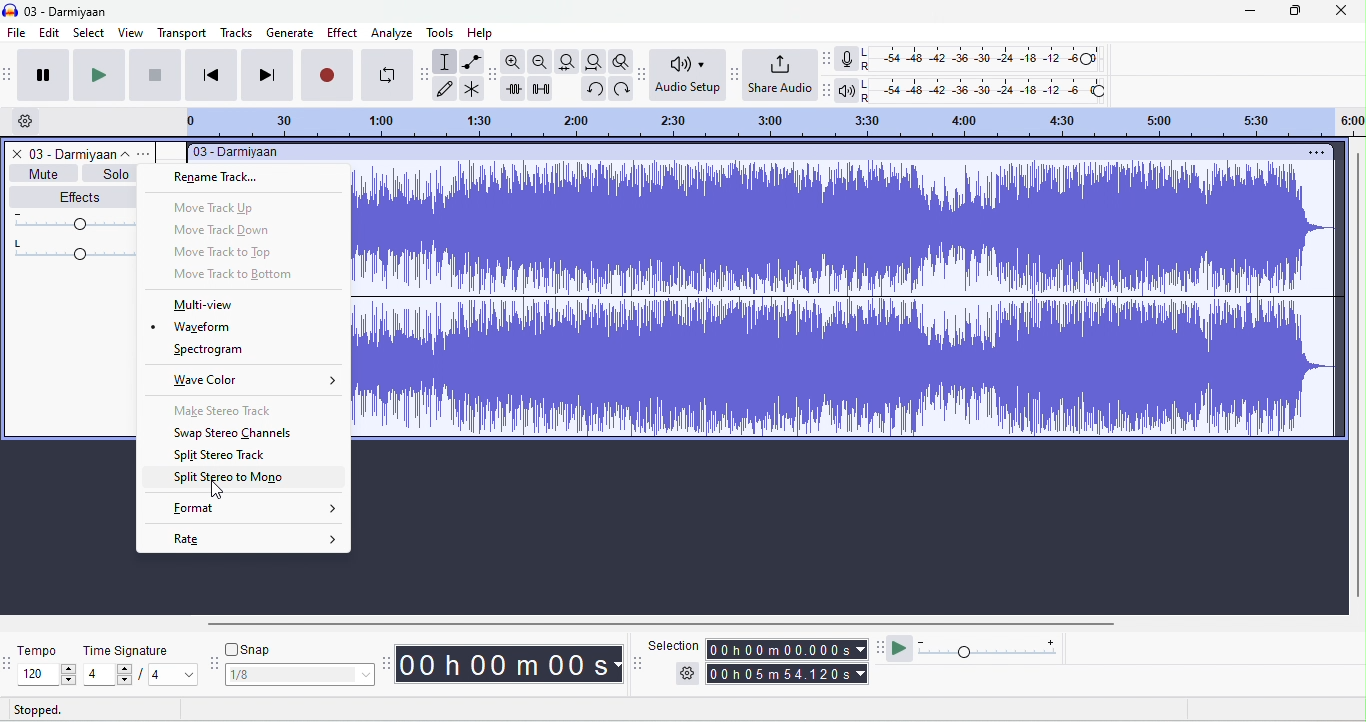  Describe the element at coordinates (540, 61) in the screenshot. I see `zoom out` at that location.